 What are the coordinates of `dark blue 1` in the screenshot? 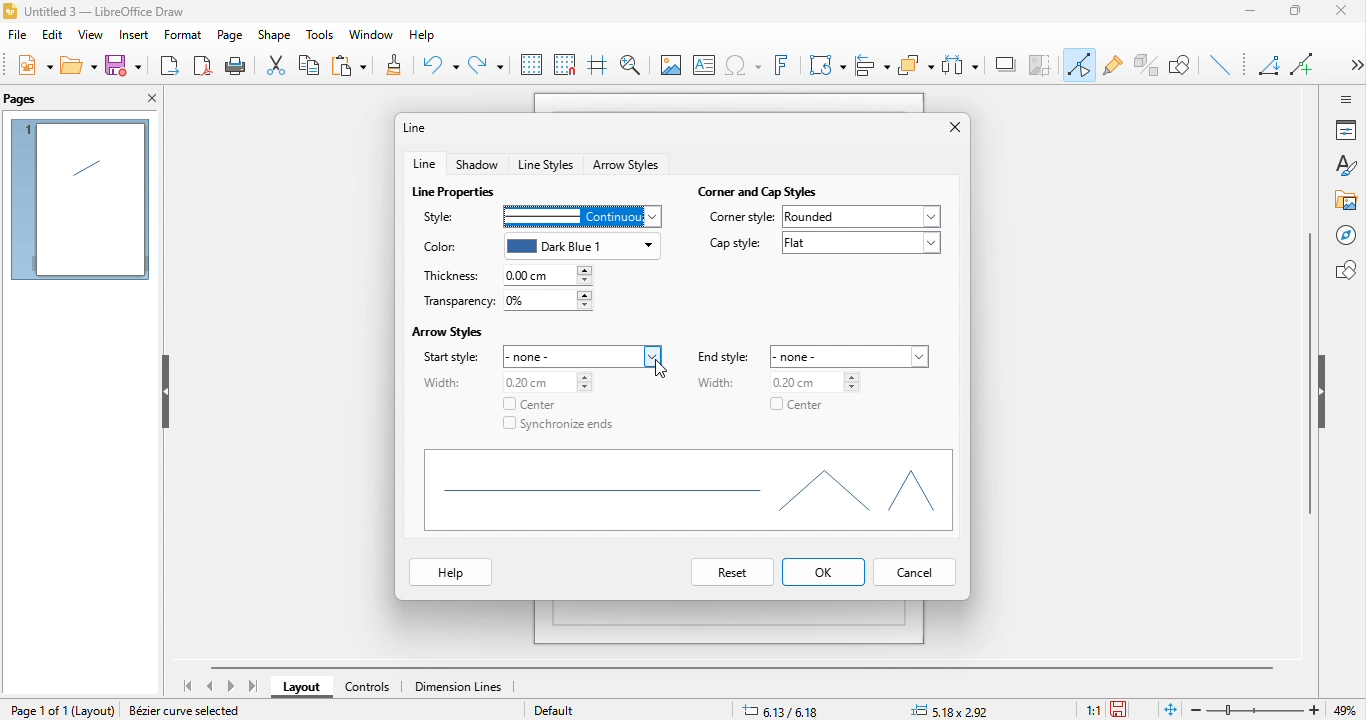 It's located at (584, 246).